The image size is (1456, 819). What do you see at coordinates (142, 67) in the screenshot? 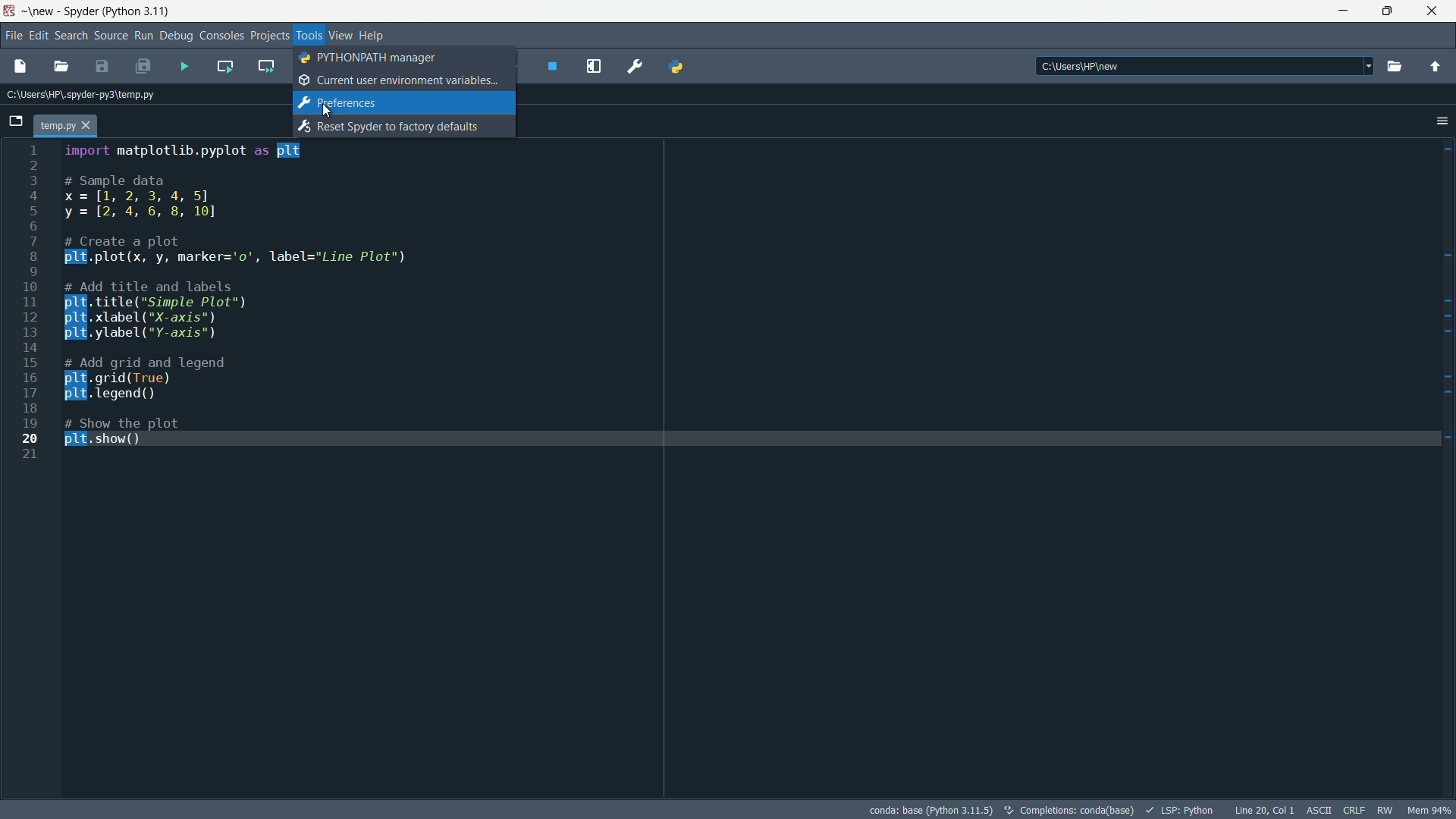
I see `save all files` at bounding box center [142, 67].